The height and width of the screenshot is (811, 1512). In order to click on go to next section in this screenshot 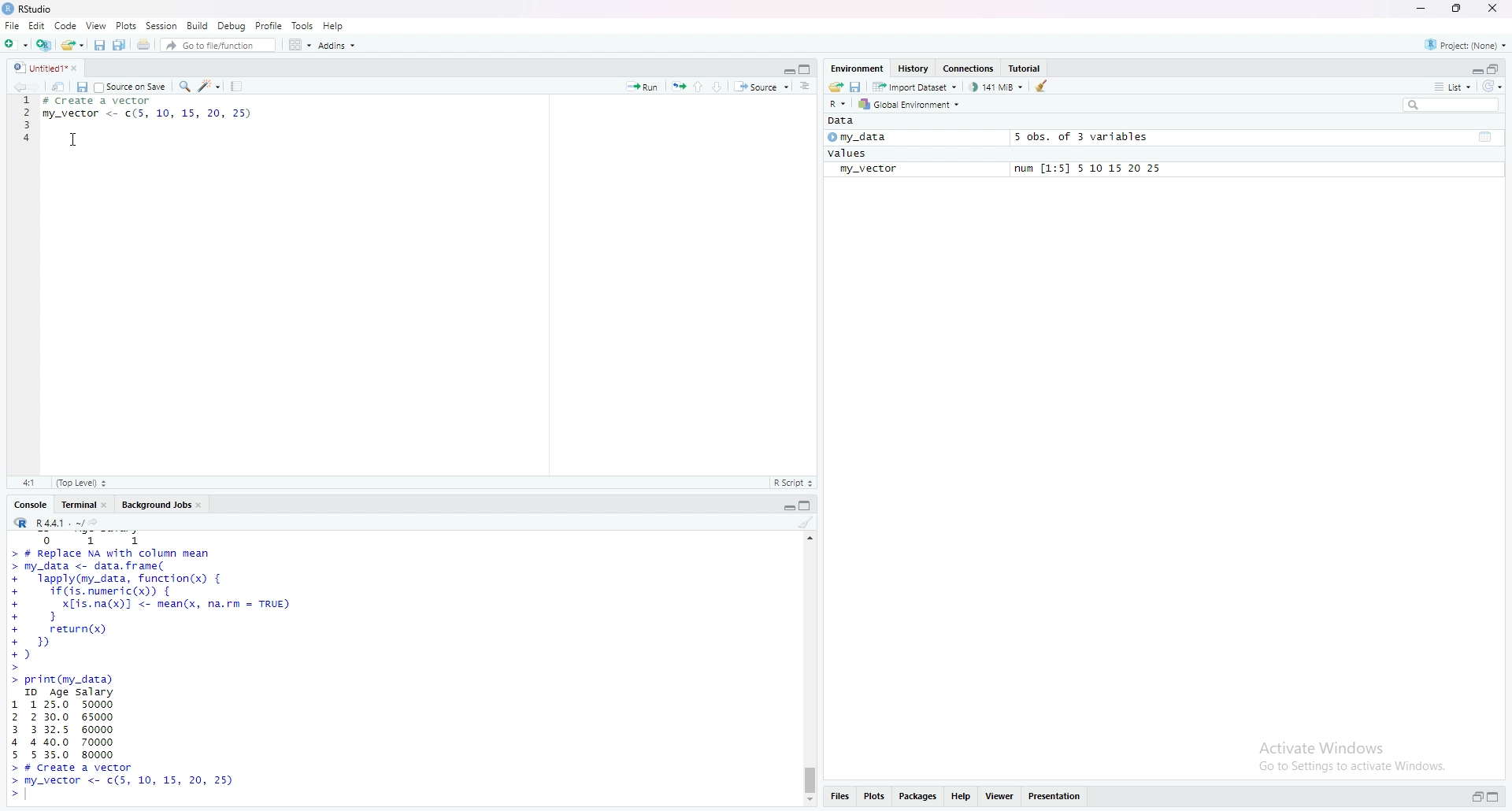, I will do `click(721, 87)`.